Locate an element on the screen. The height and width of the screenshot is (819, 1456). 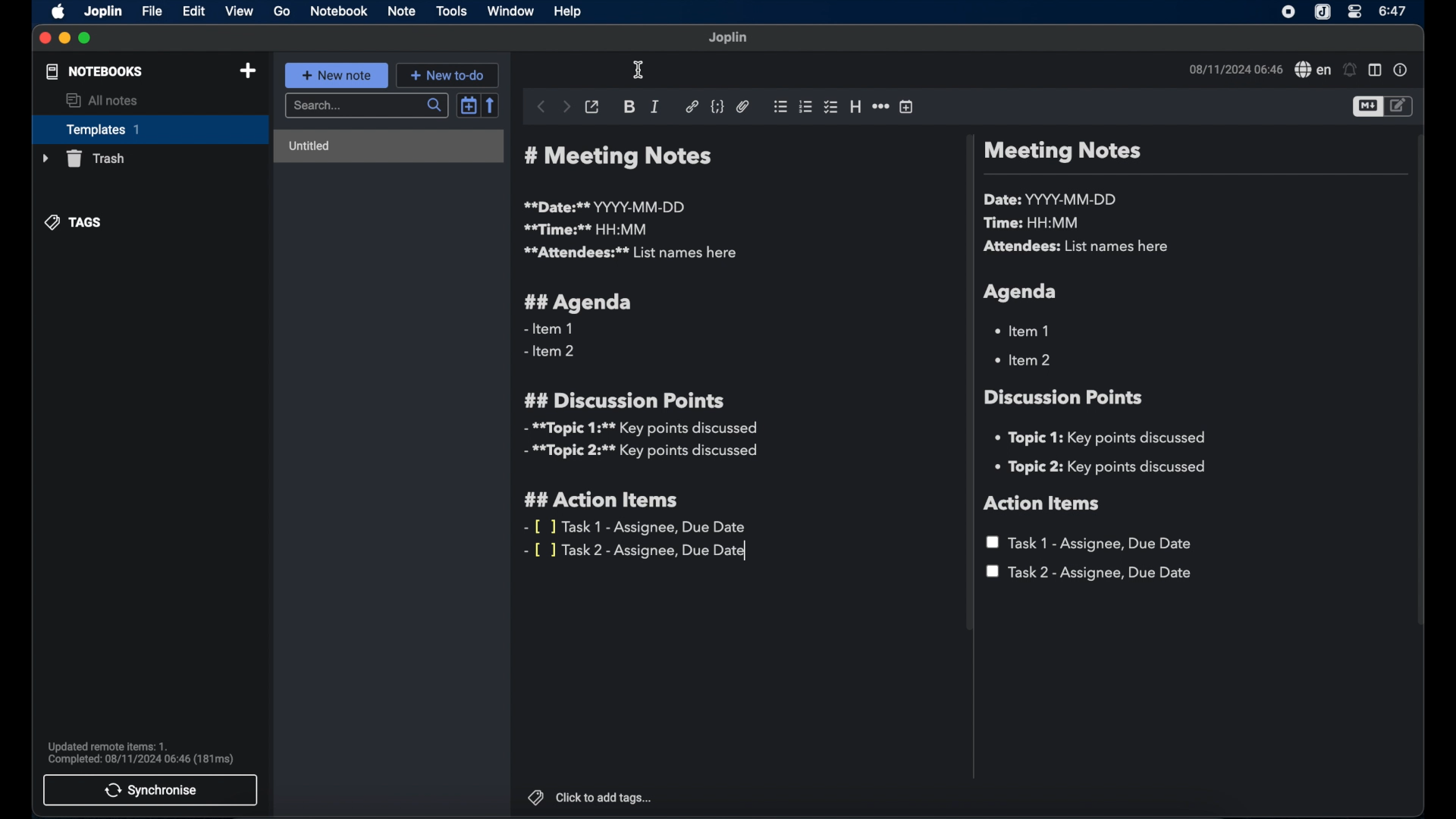
notebook is located at coordinates (338, 12).